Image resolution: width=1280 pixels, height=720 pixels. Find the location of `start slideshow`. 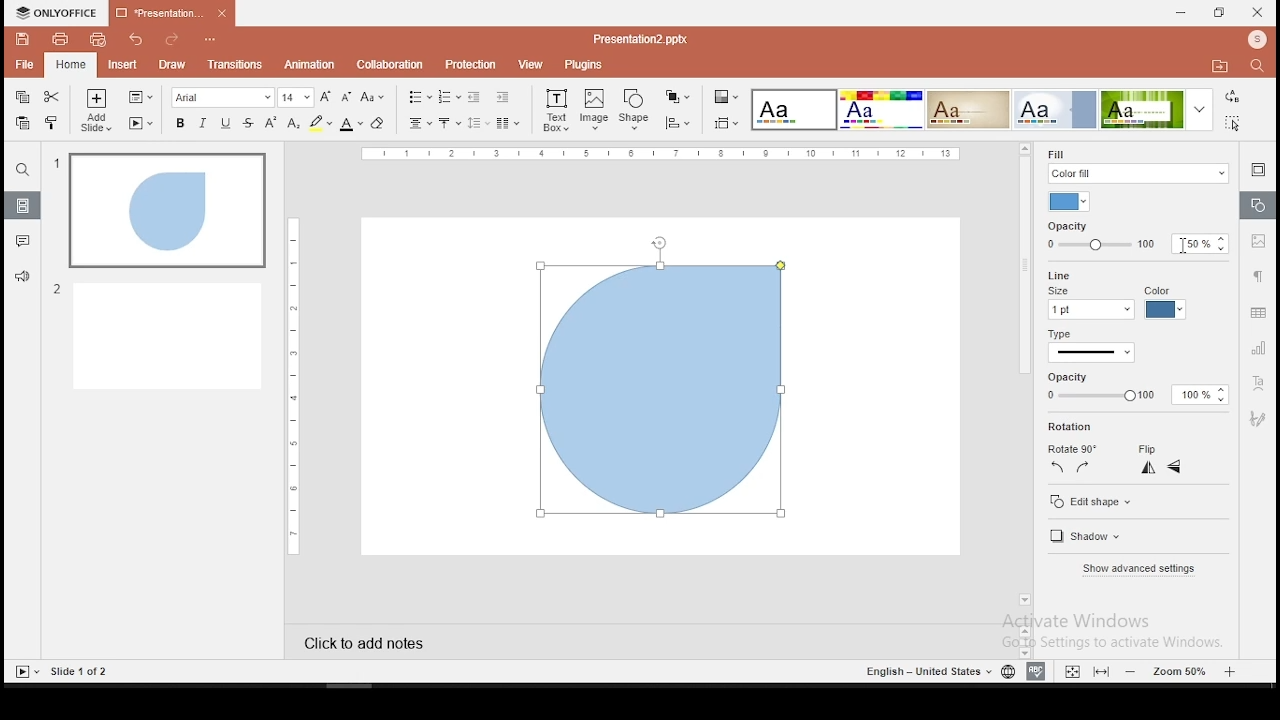

start slideshow is located at coordinates (141, 124).